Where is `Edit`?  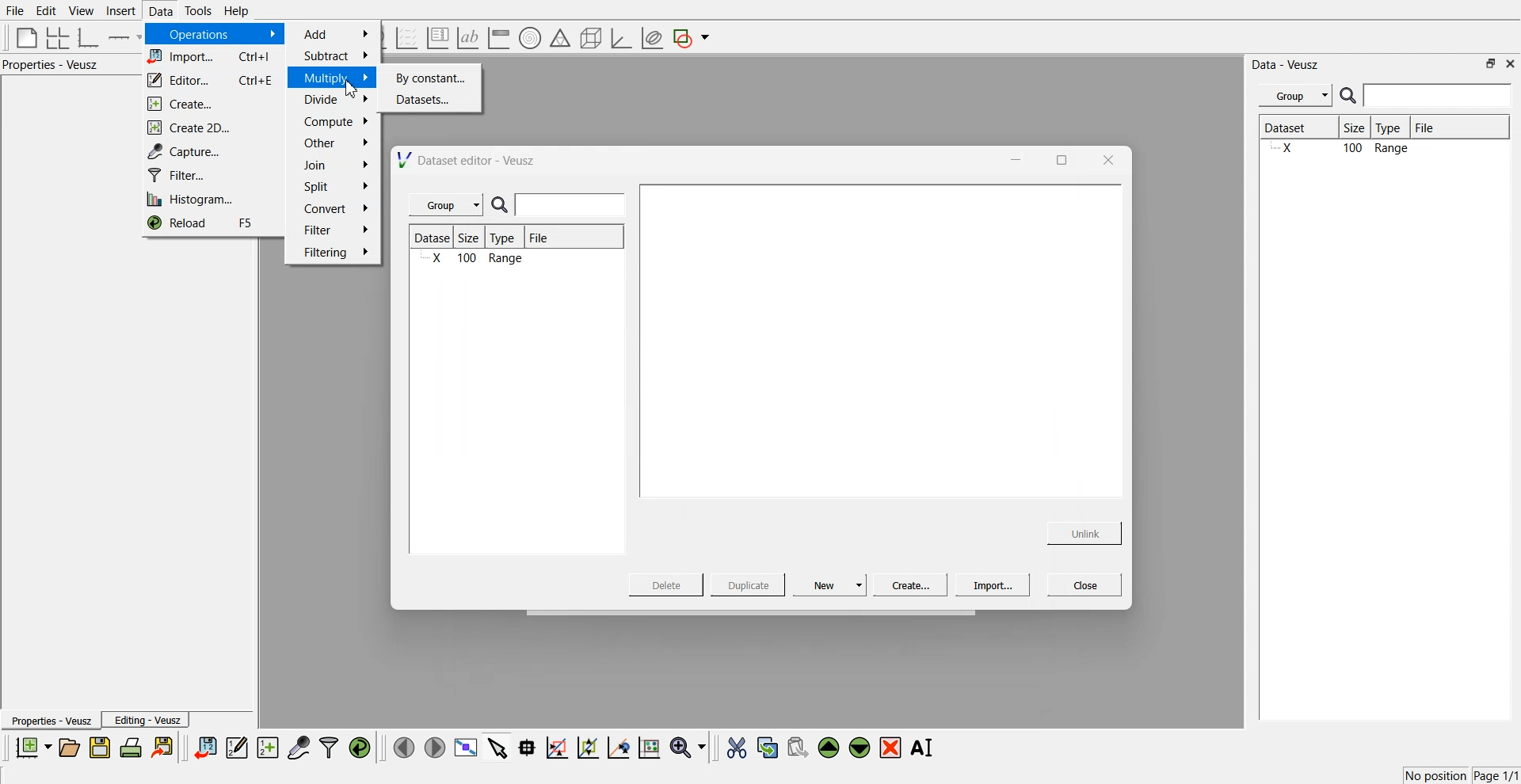 Edit is located at coordinates (47, 10).